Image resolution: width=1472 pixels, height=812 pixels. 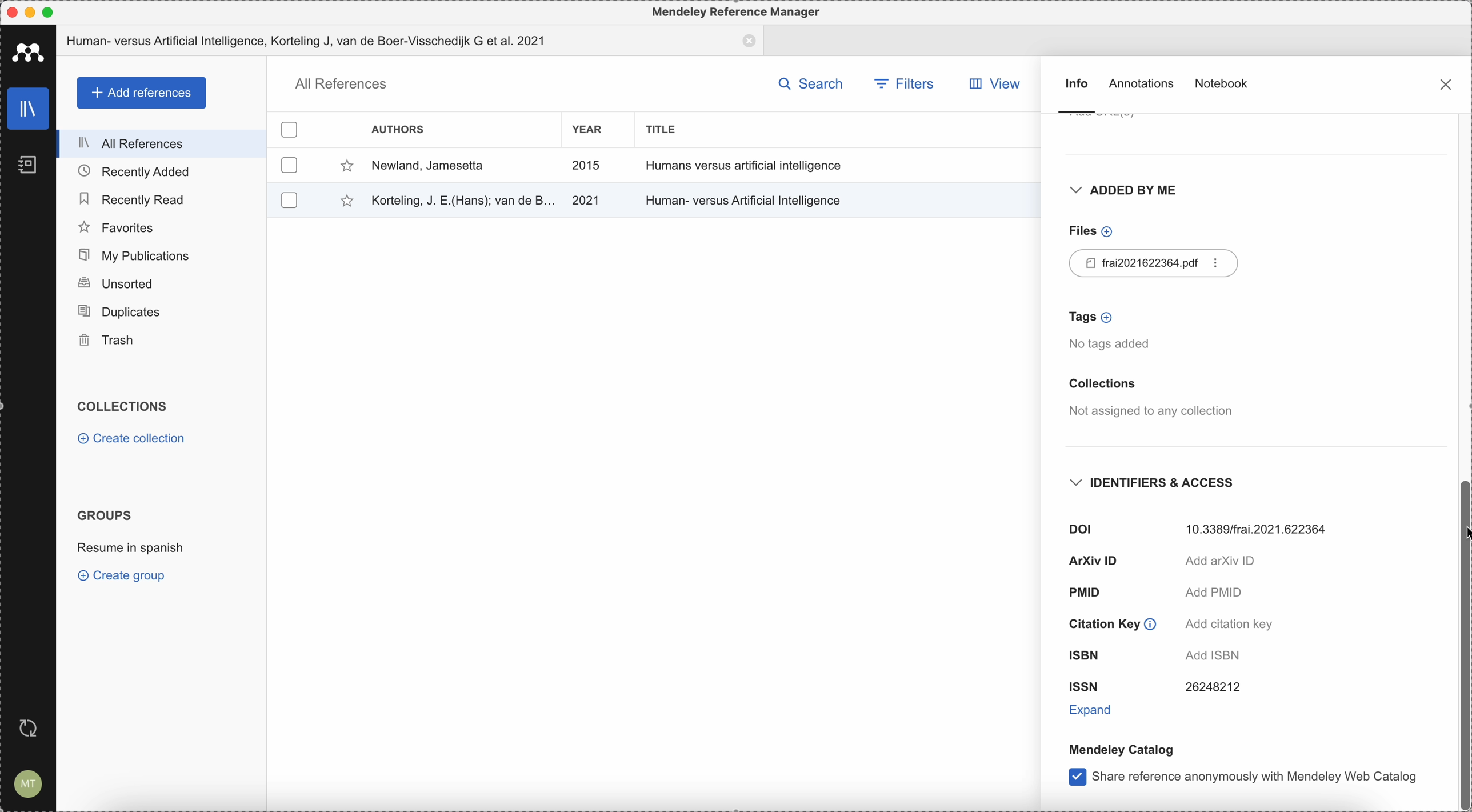 What do you see at coordinates (27, 52) in the screenshot?
I see `Mendeley icon` at bounding box center [27, 52].